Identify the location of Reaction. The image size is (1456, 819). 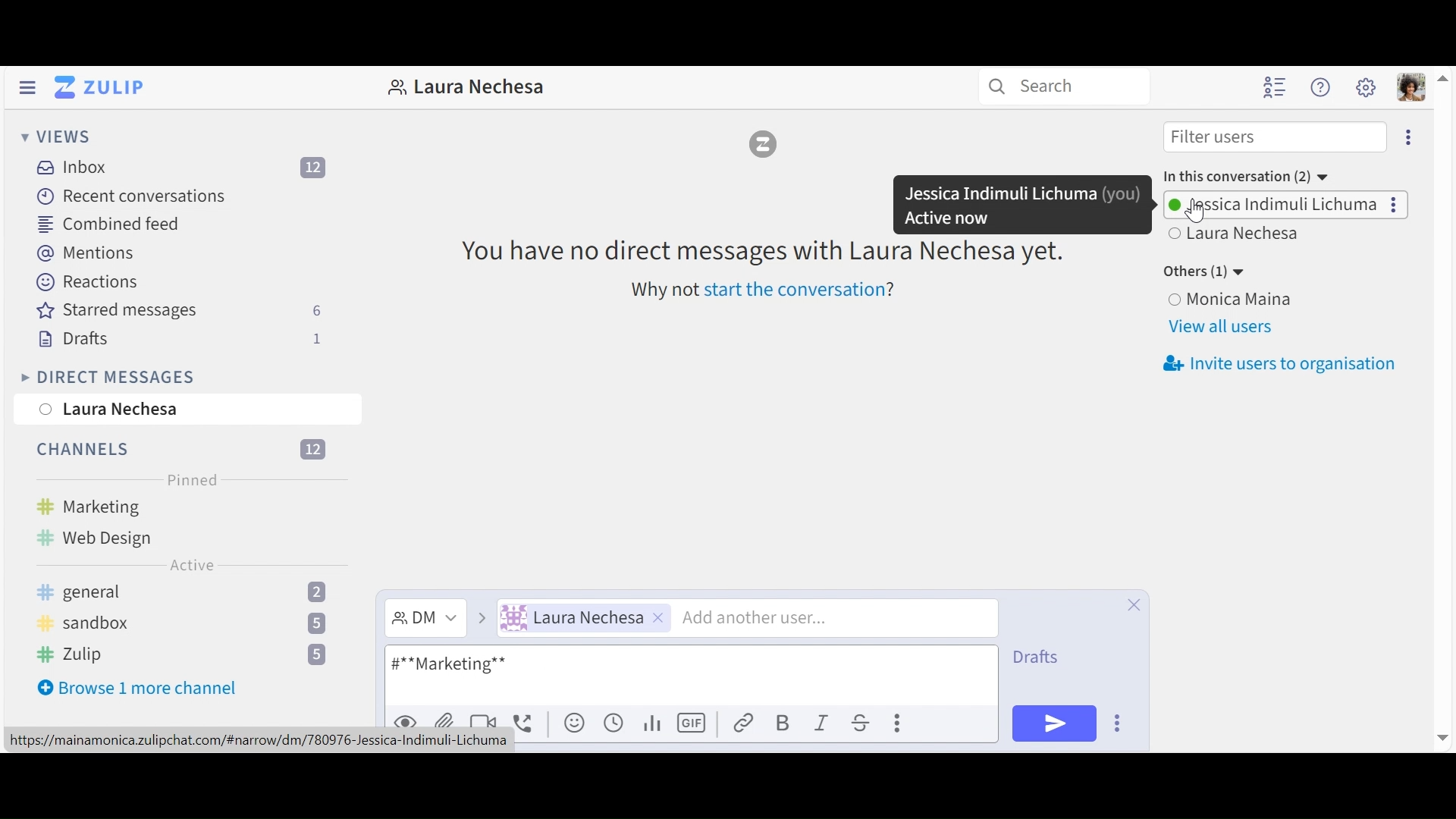
(87, 281).